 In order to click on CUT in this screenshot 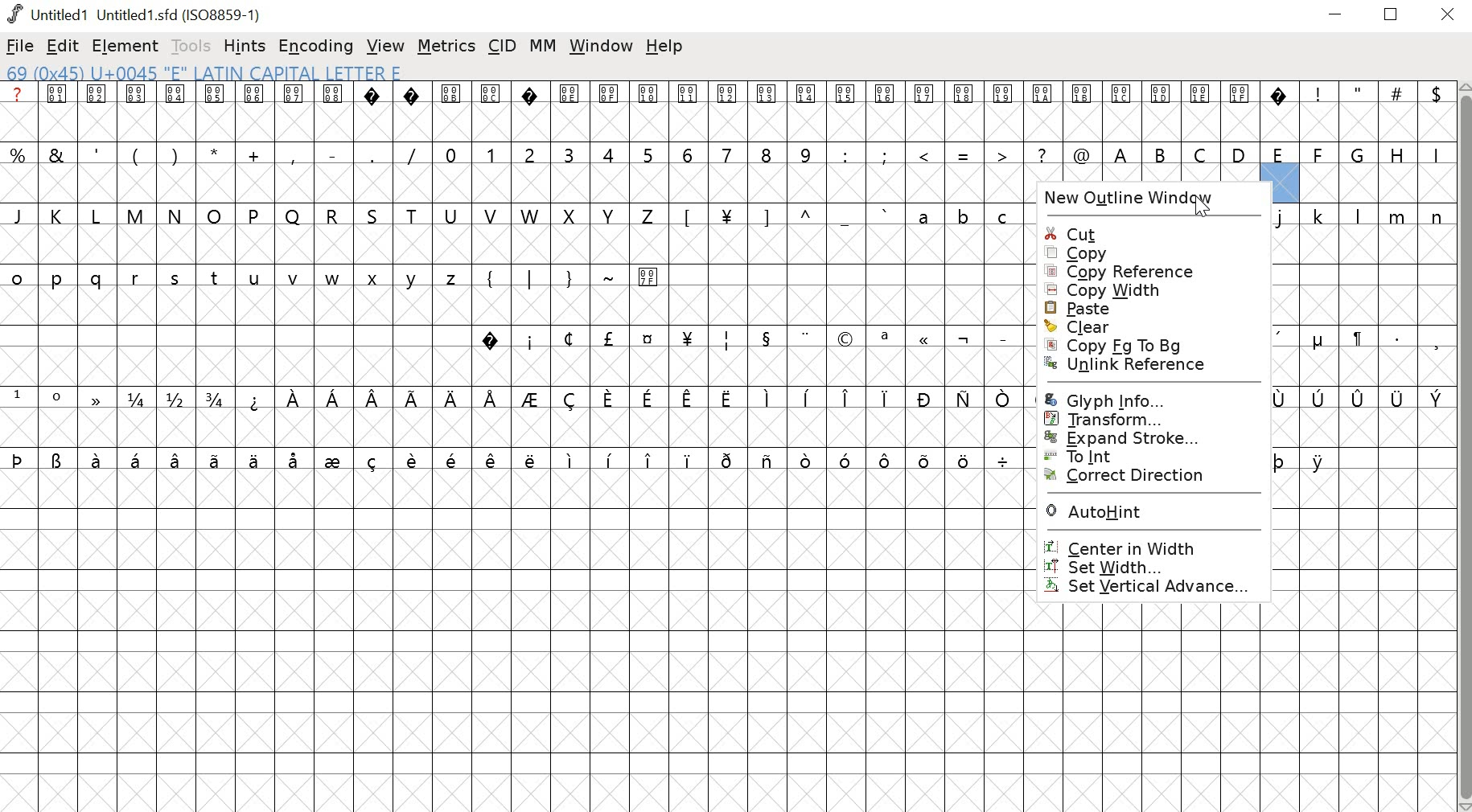, I will do `click(1145, 232)`.